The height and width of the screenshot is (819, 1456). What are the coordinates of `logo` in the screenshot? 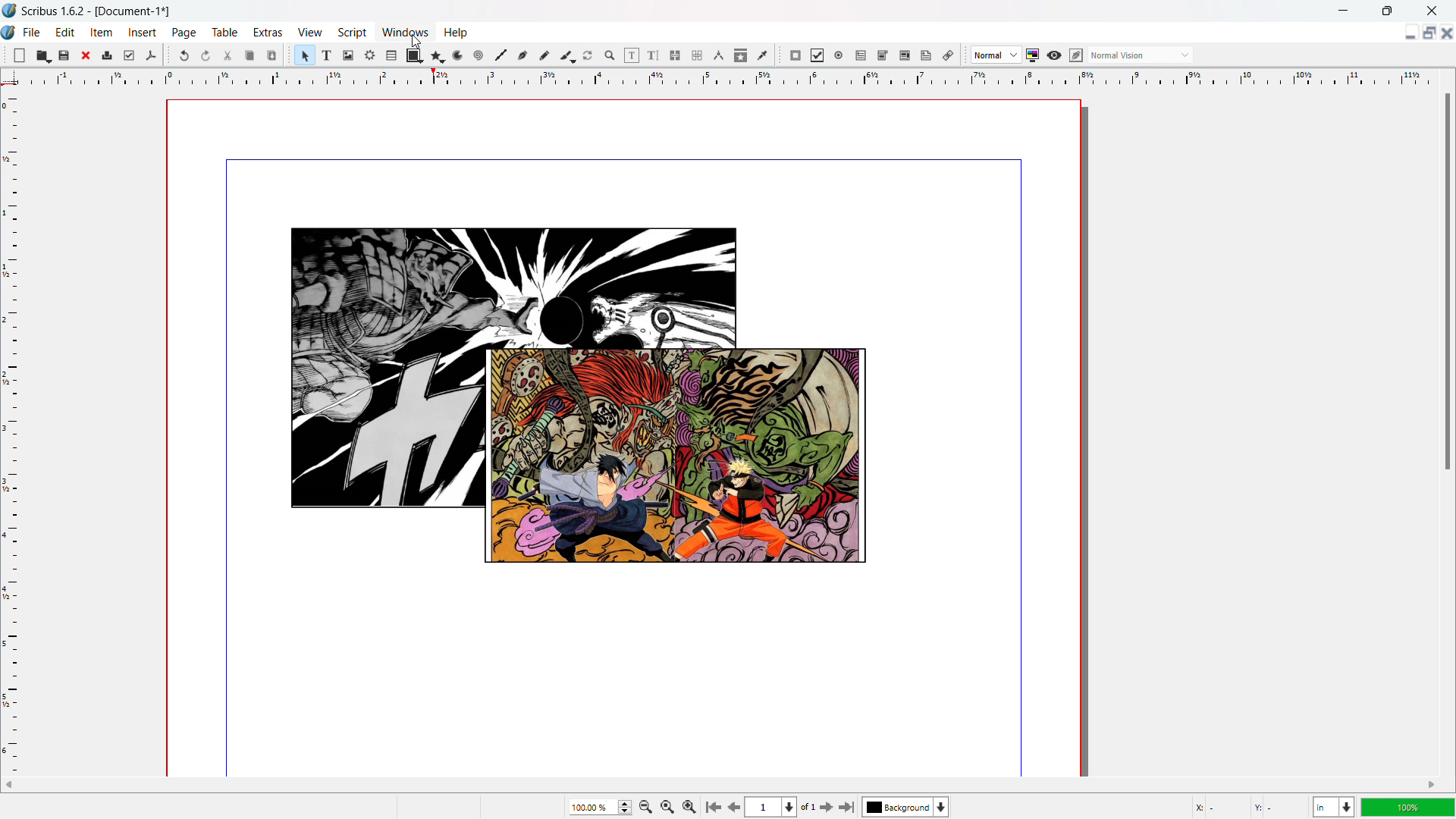 It's located at (9, 31).